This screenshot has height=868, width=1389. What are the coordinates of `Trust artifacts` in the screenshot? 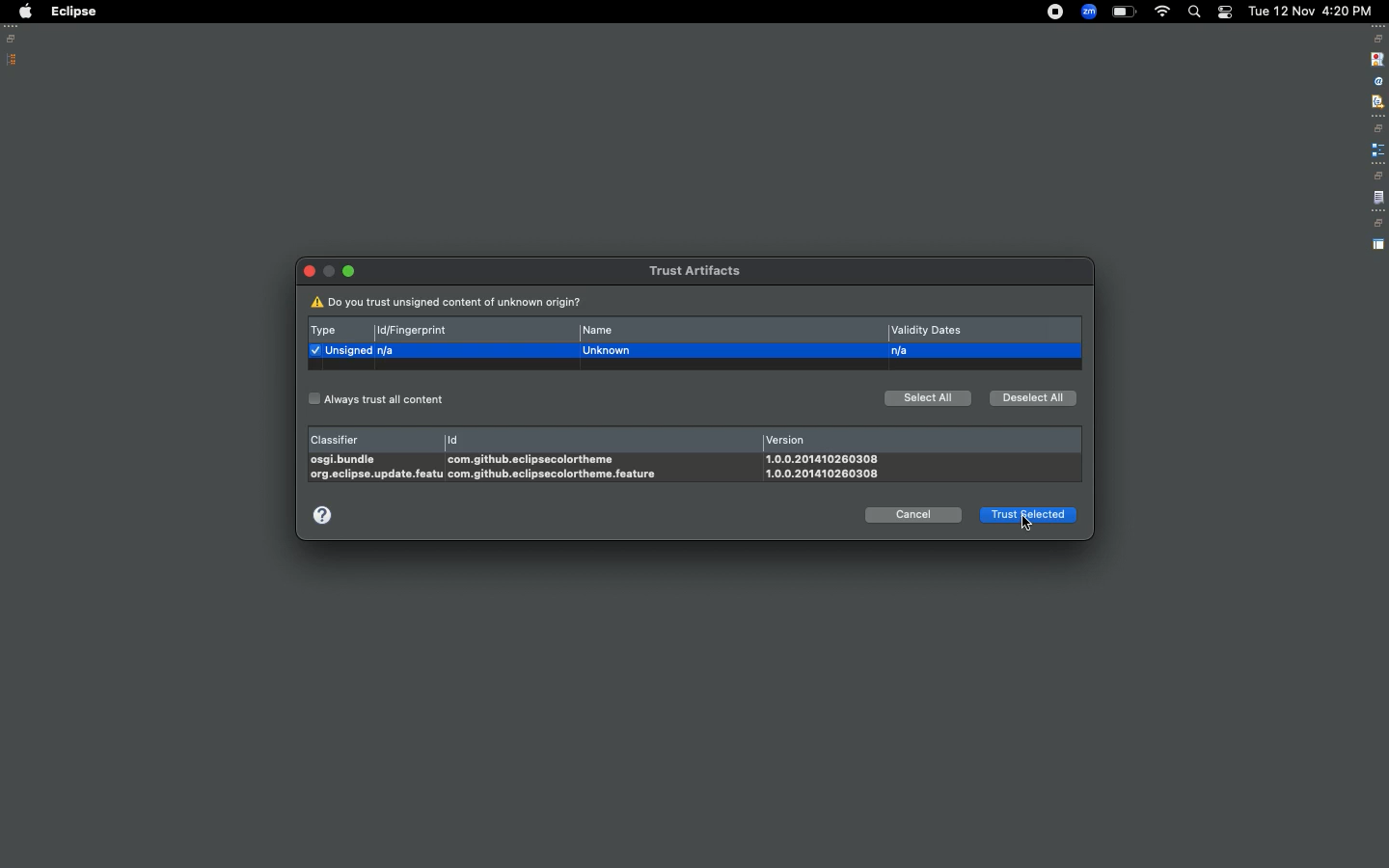 It's located at (689, 268).